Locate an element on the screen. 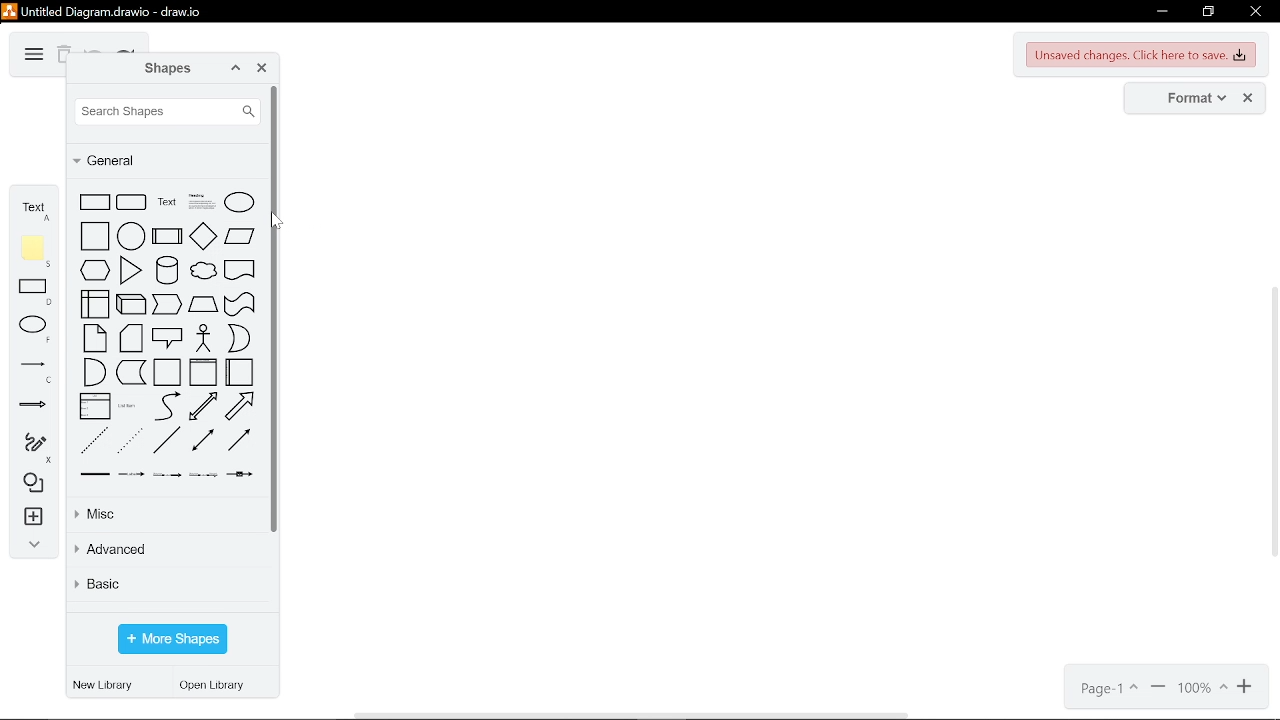  dashed line is located at coordinates (95, 440).